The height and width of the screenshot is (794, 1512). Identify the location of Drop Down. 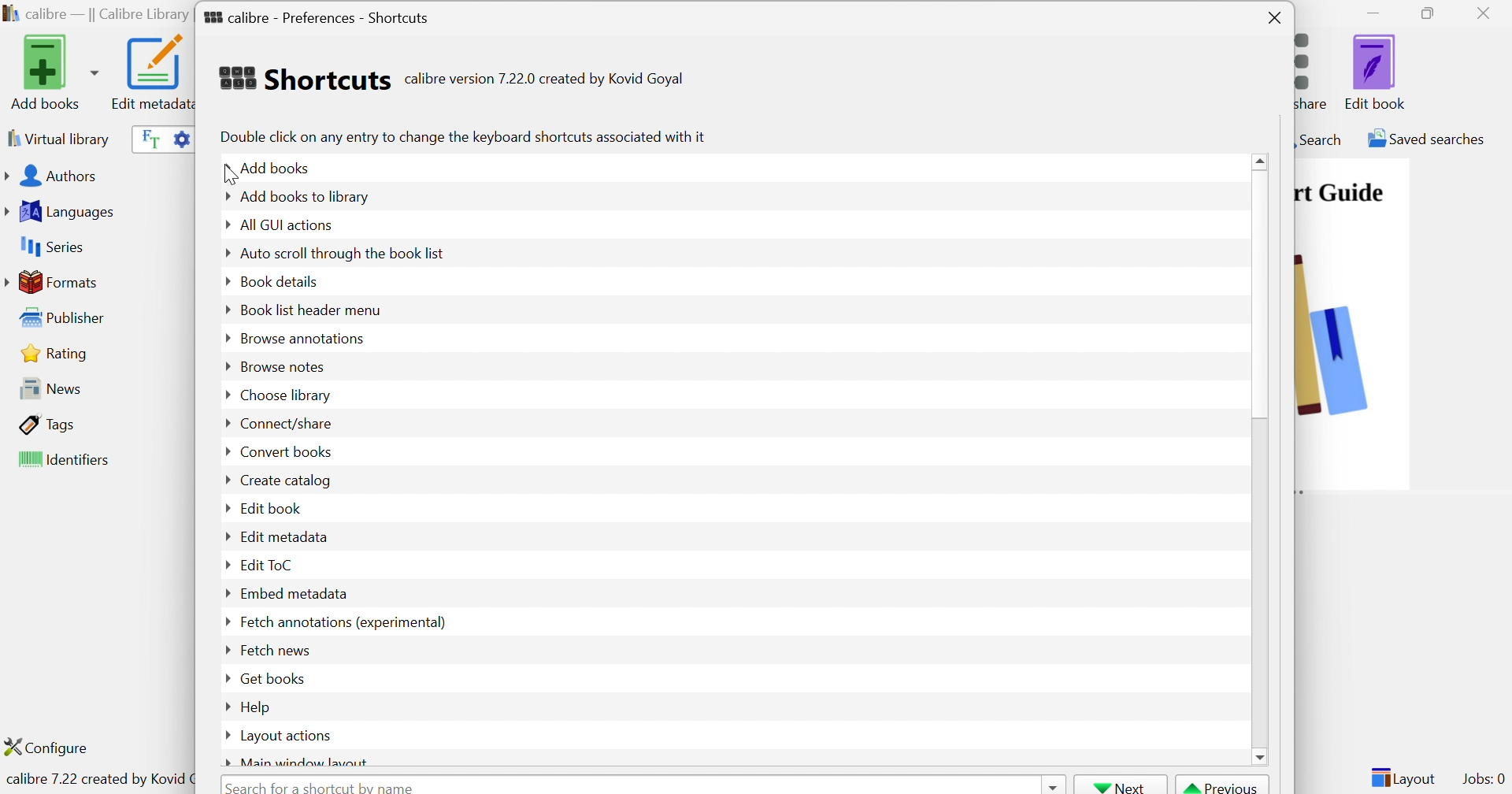
(225, 678).